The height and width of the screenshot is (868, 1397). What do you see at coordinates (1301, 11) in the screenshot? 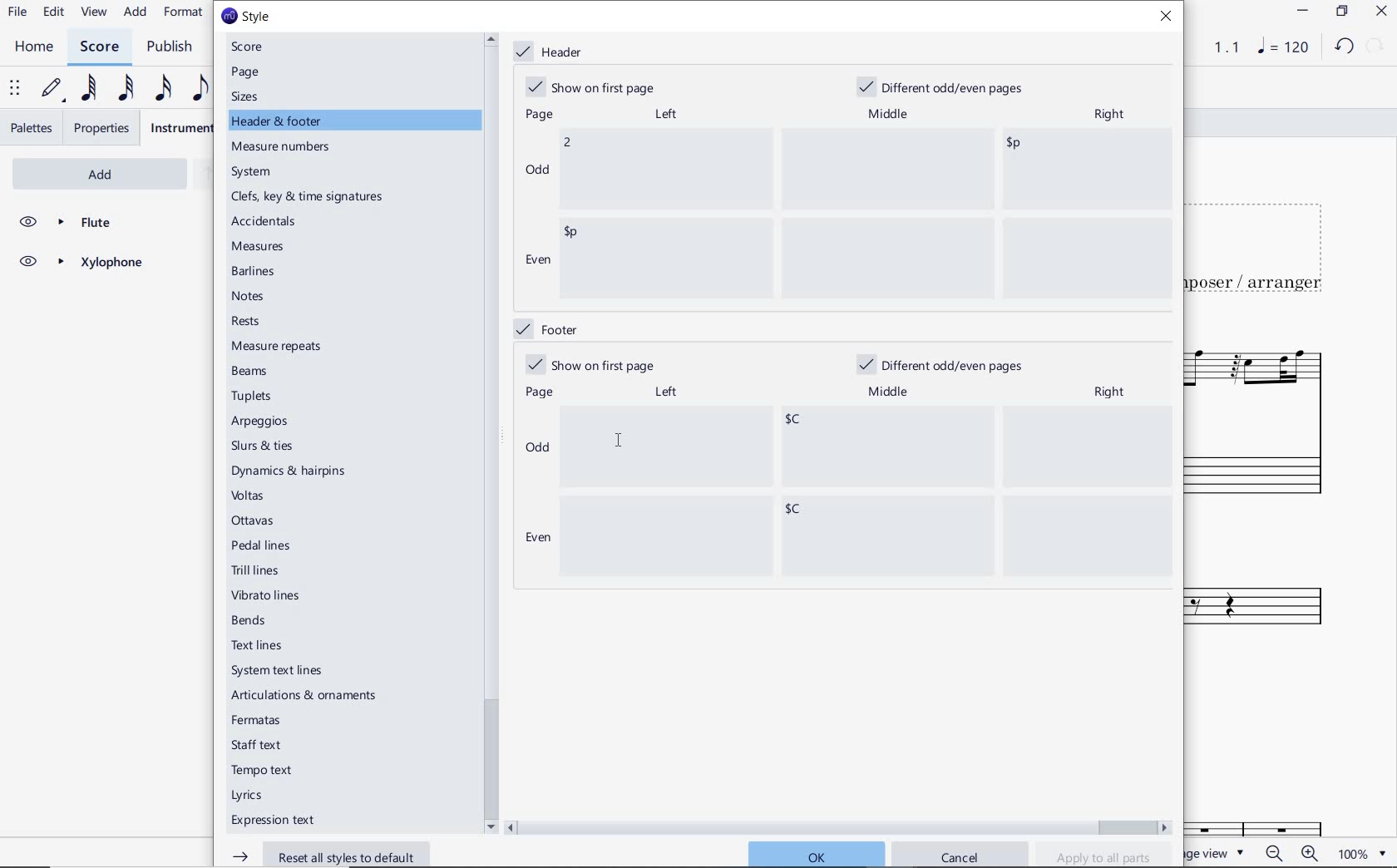
I see `MINIMIZE` at bounding box center [1301, 11].